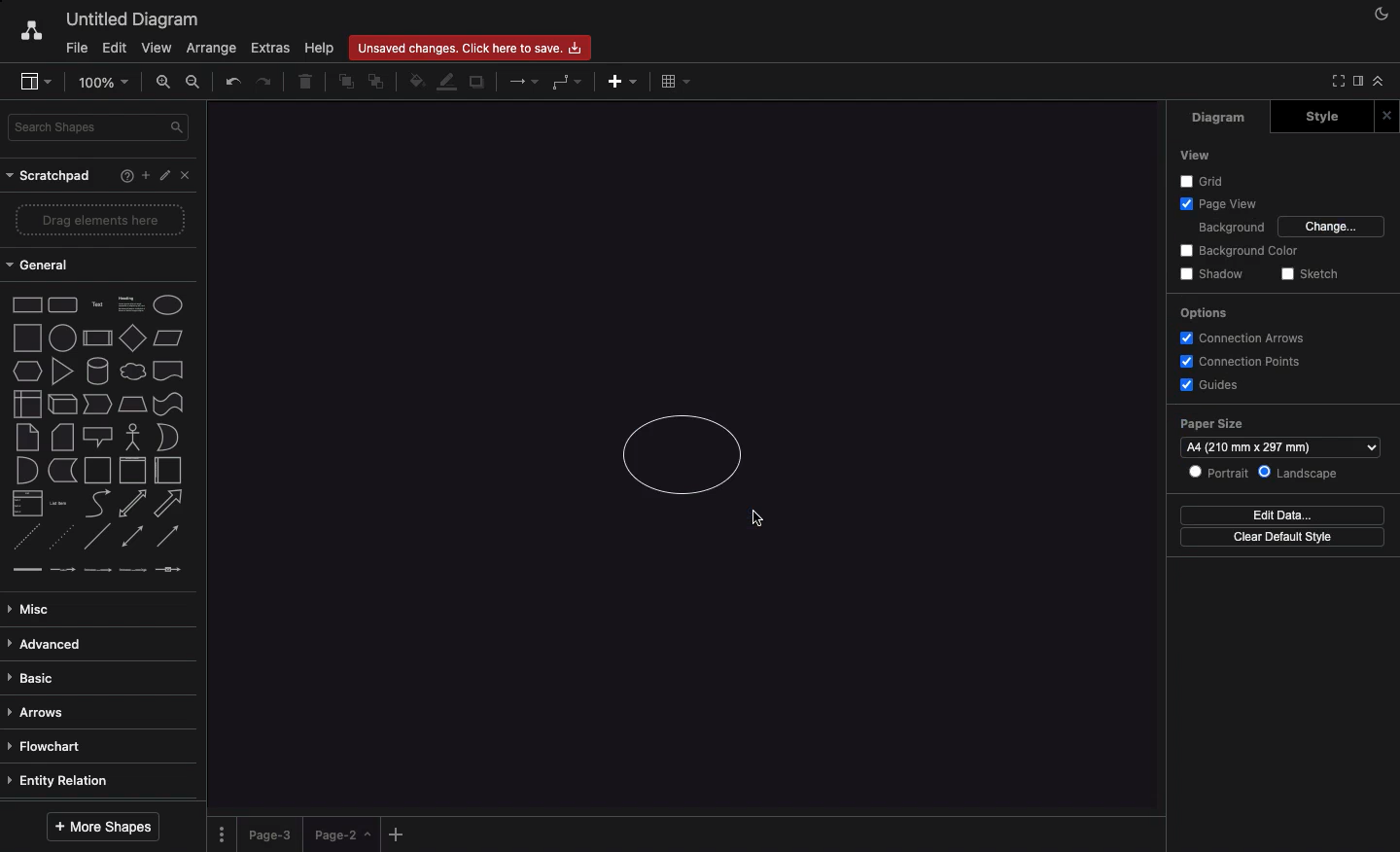 This screenshot has height=852, width=1400. Describe the element at coordinates (97, 536) in the screenshot. I see `Line` at that location.